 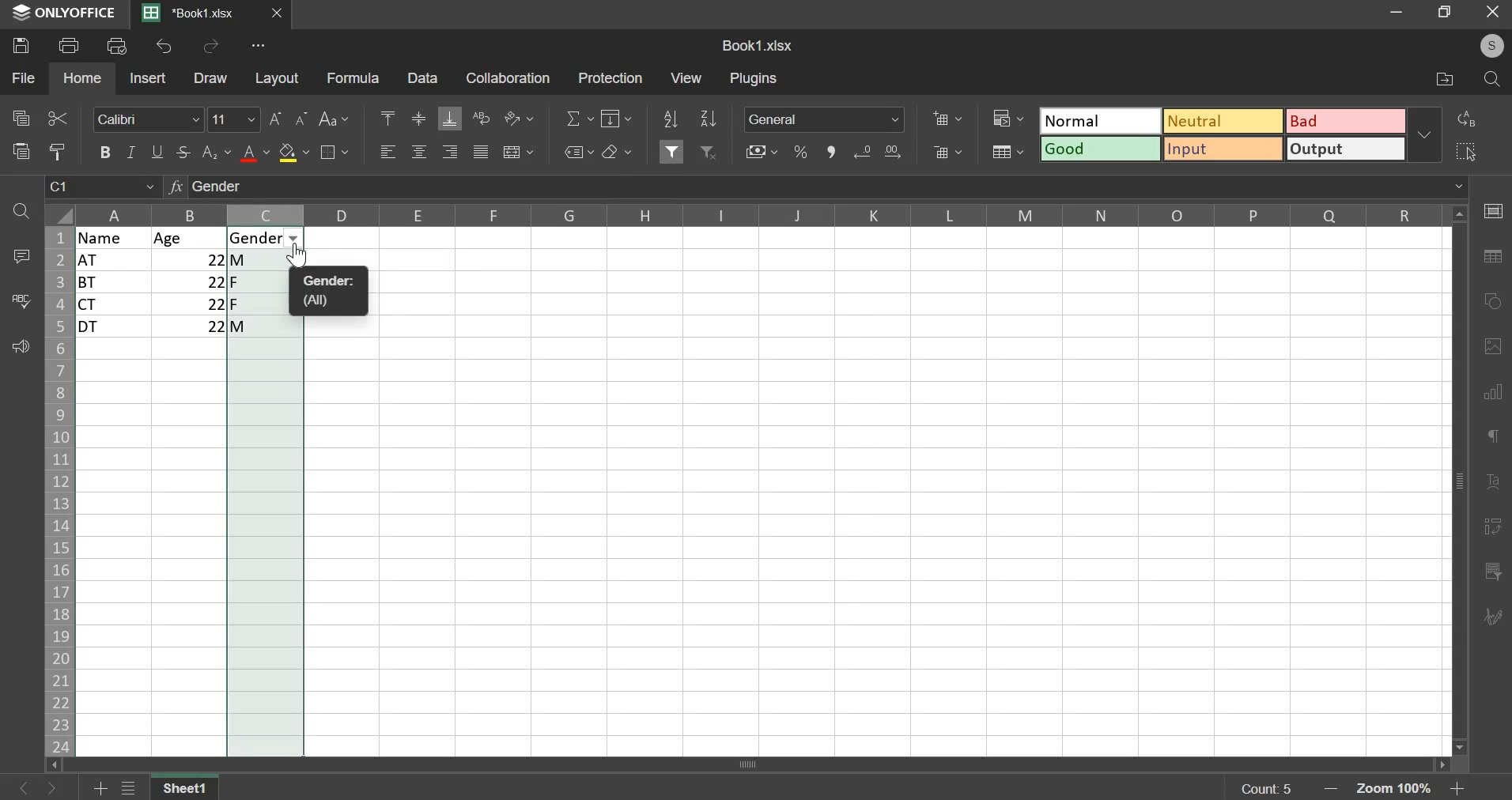 I want to click on insert function, so click(x=816, y=189).